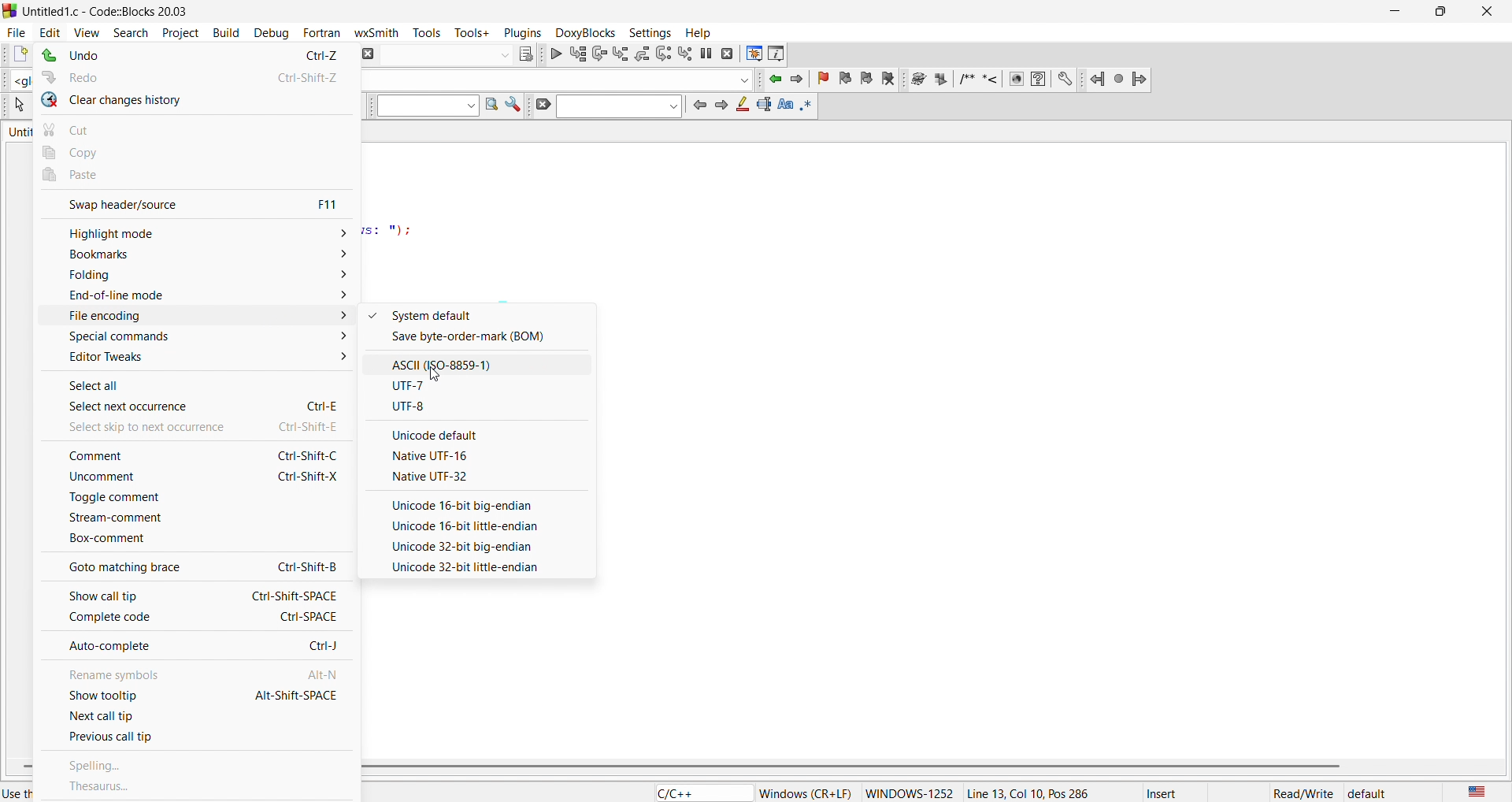 The image size is (1512, 802). What do you see at coordinates (584, 34) in the screenshot?
I see `doxyblocks` at bounding box center [584, 34].